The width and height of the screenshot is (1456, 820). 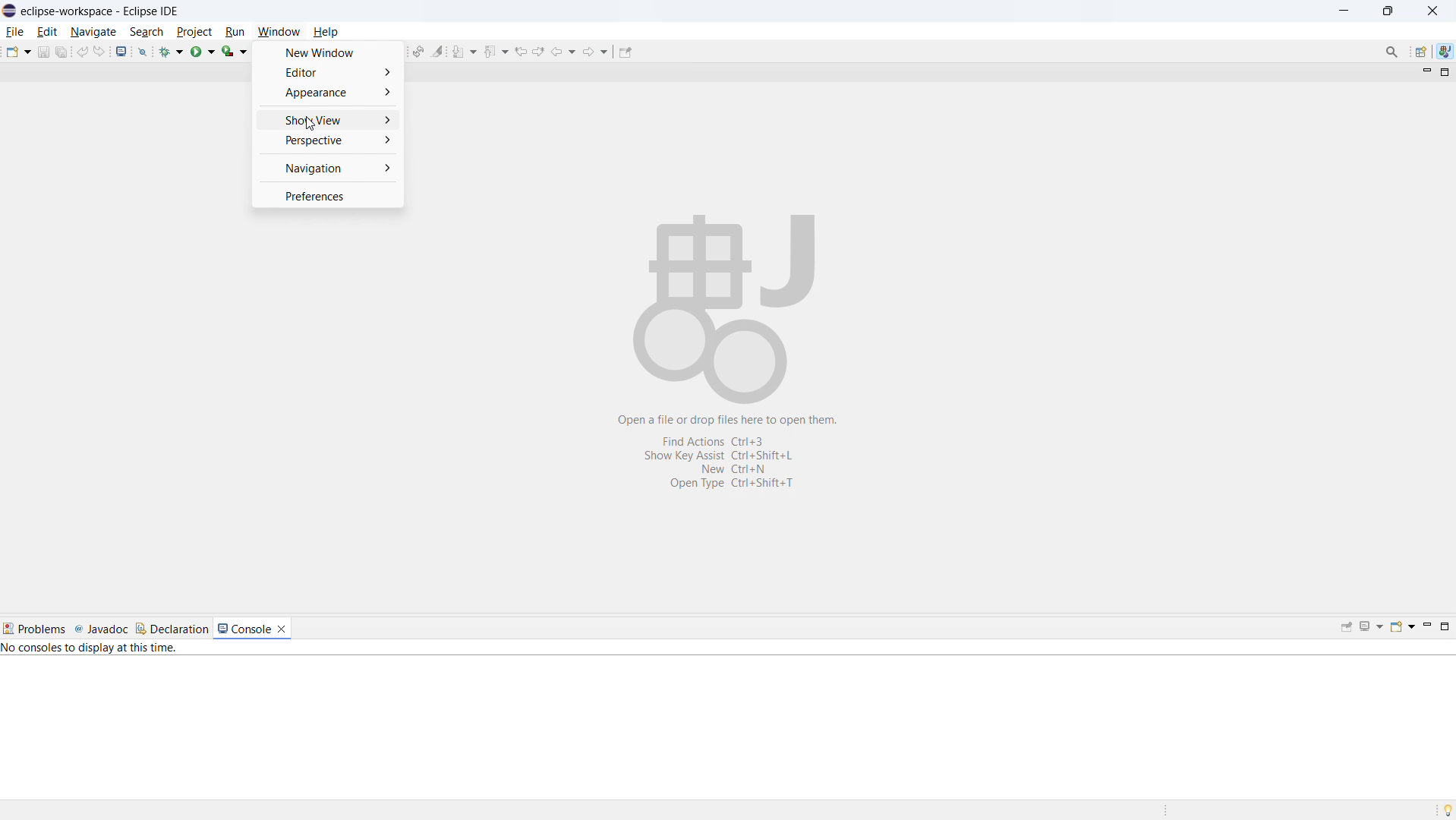 What do you see at coordinates (1344, 11) in the screenshot?
I see `minimize` at bounding box center [1344, 11].